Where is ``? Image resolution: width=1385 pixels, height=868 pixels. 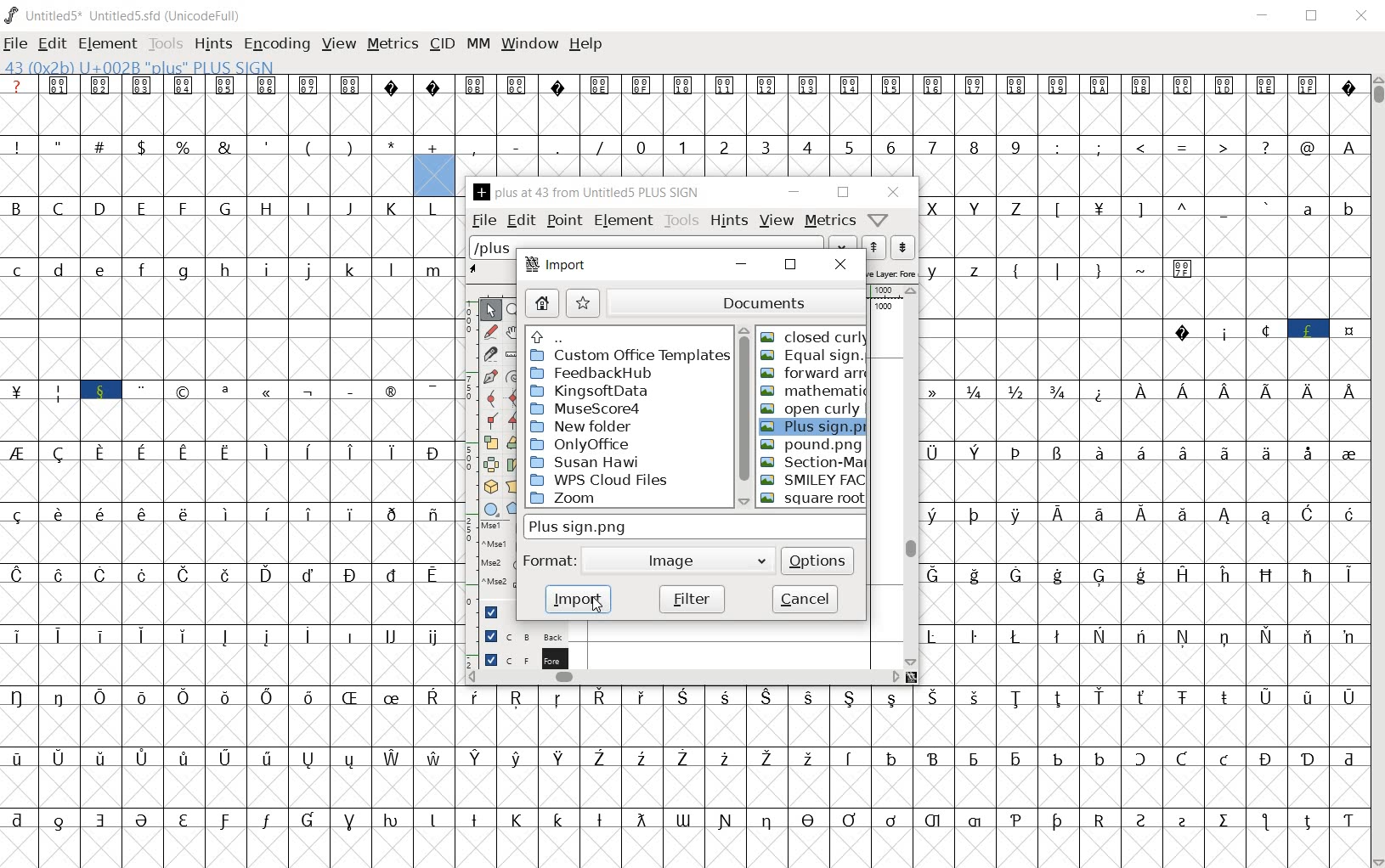
 is located at coordinates (1144, 595).